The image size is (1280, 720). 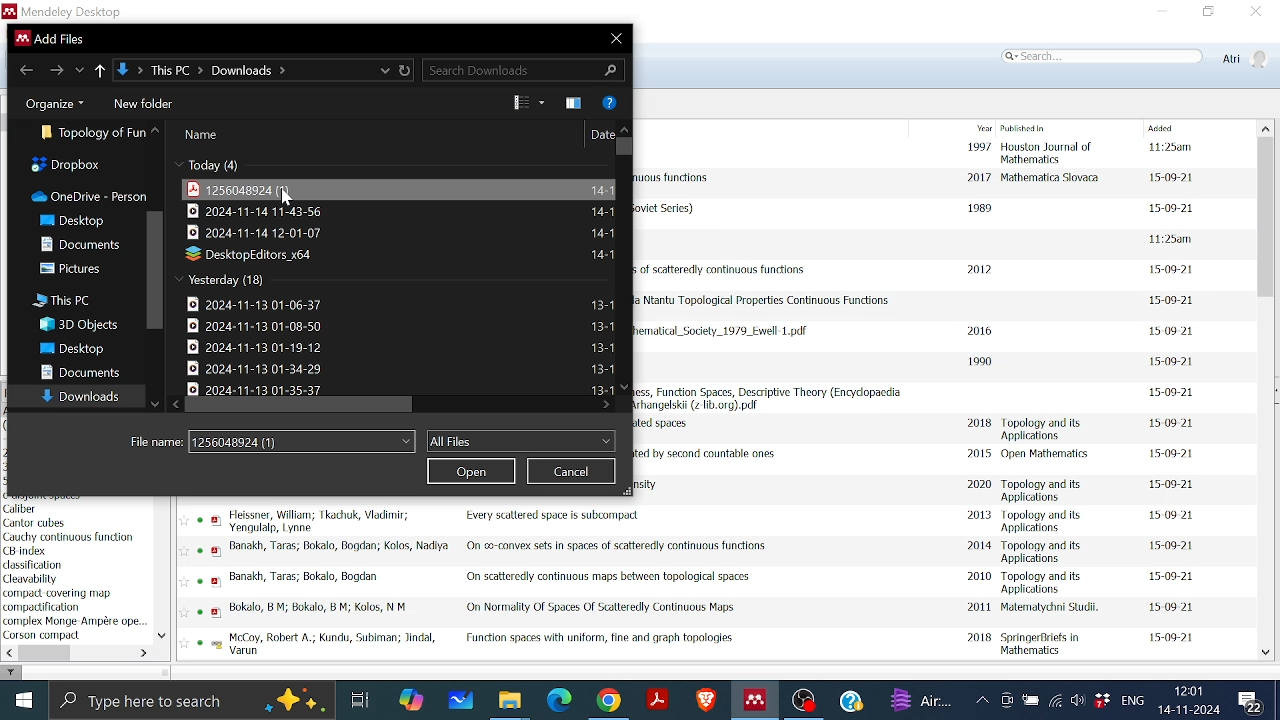 What do you see at coordinates (600, 135) in the screenshot?
I see `Date` at bounding box center [600, 135].